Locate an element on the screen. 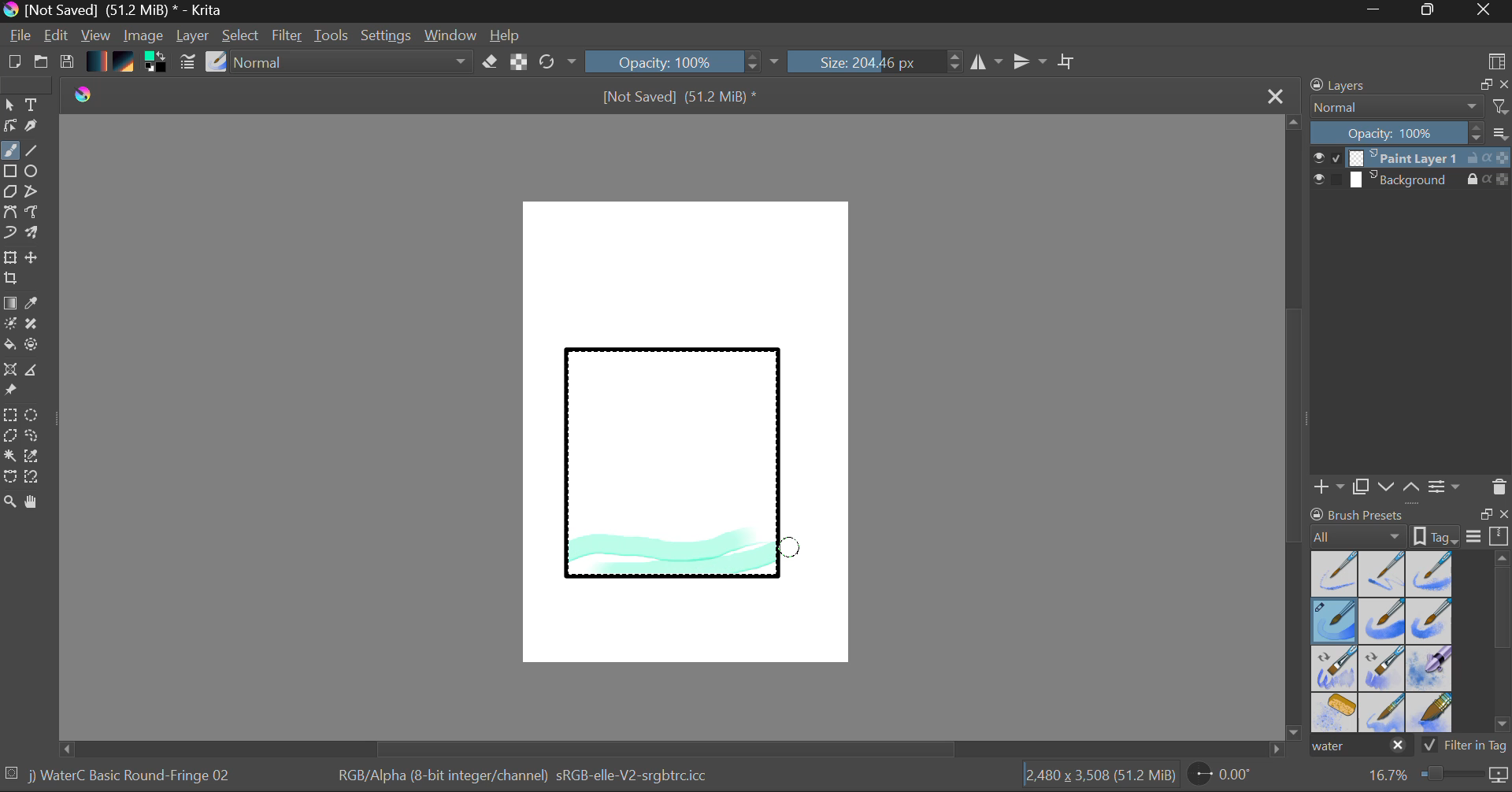 The height and width of the screenshot is (792, 1512). Background Layer is located at coordinates (1411, 180).